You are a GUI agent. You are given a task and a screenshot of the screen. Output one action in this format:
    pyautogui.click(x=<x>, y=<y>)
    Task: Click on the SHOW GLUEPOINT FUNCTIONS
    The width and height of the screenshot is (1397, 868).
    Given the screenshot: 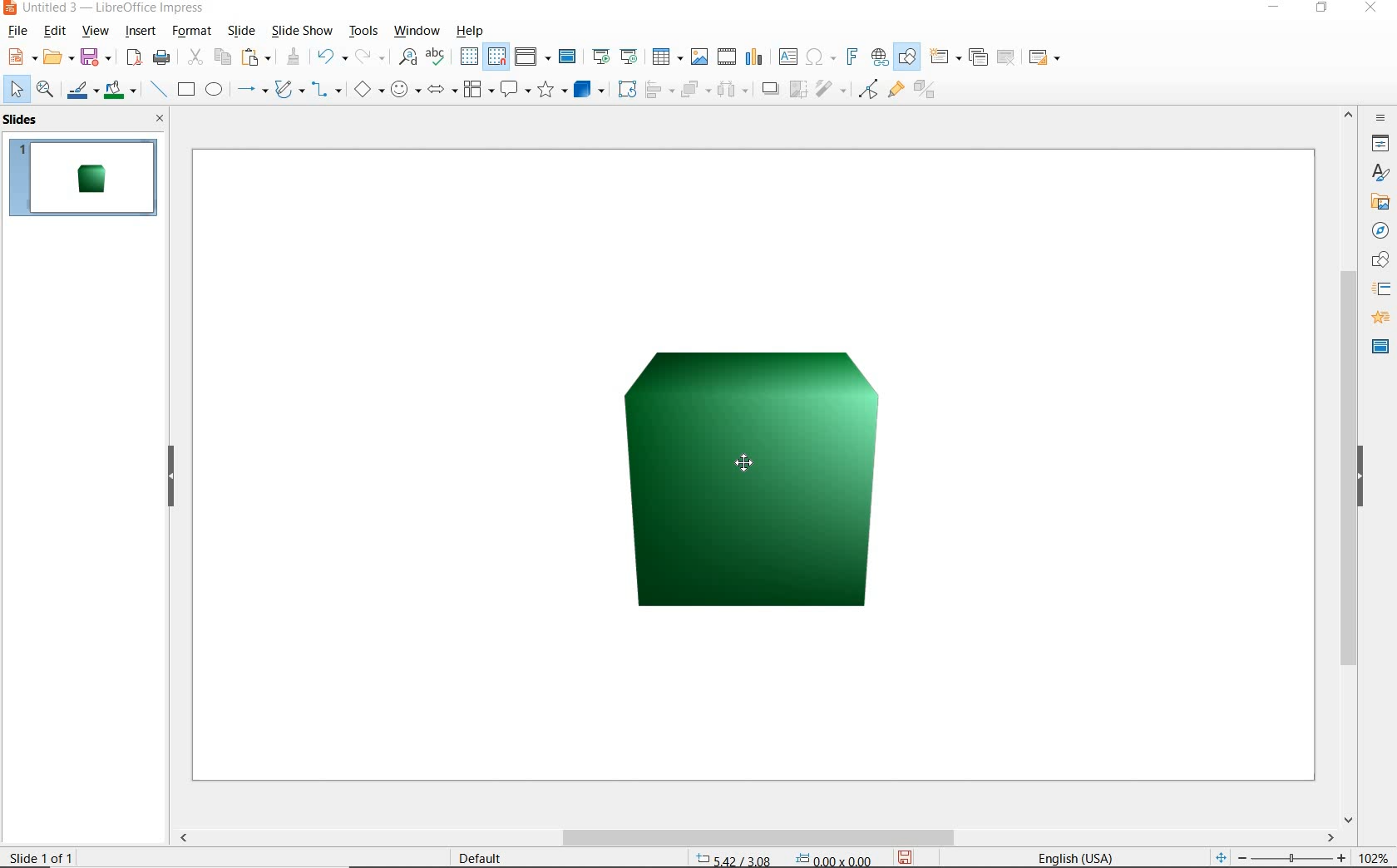 What is the action you would take?
    pyautogui.click(x=896, y=91)
    